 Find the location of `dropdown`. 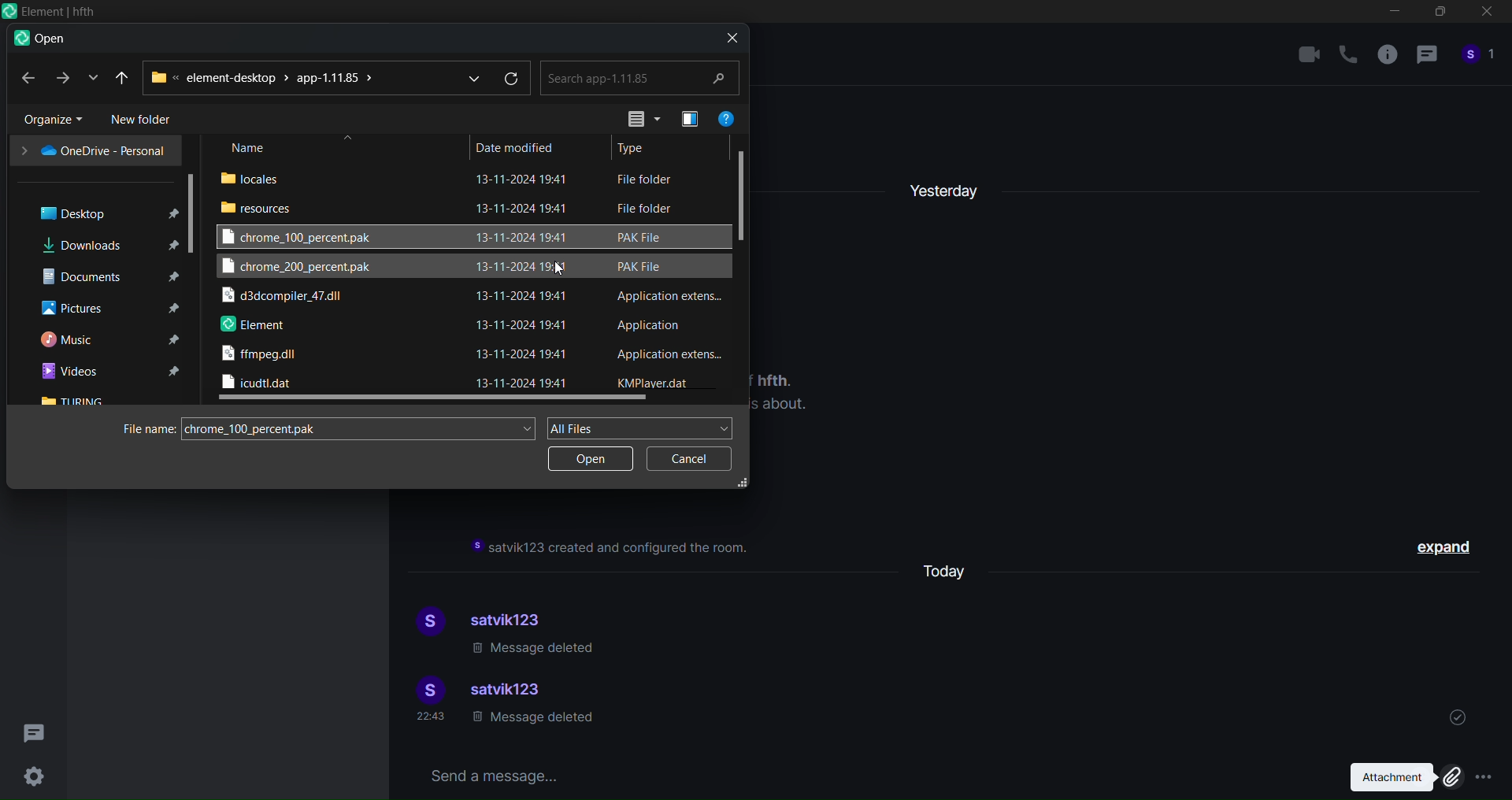

dropdown is located at coordinates (469, 76).